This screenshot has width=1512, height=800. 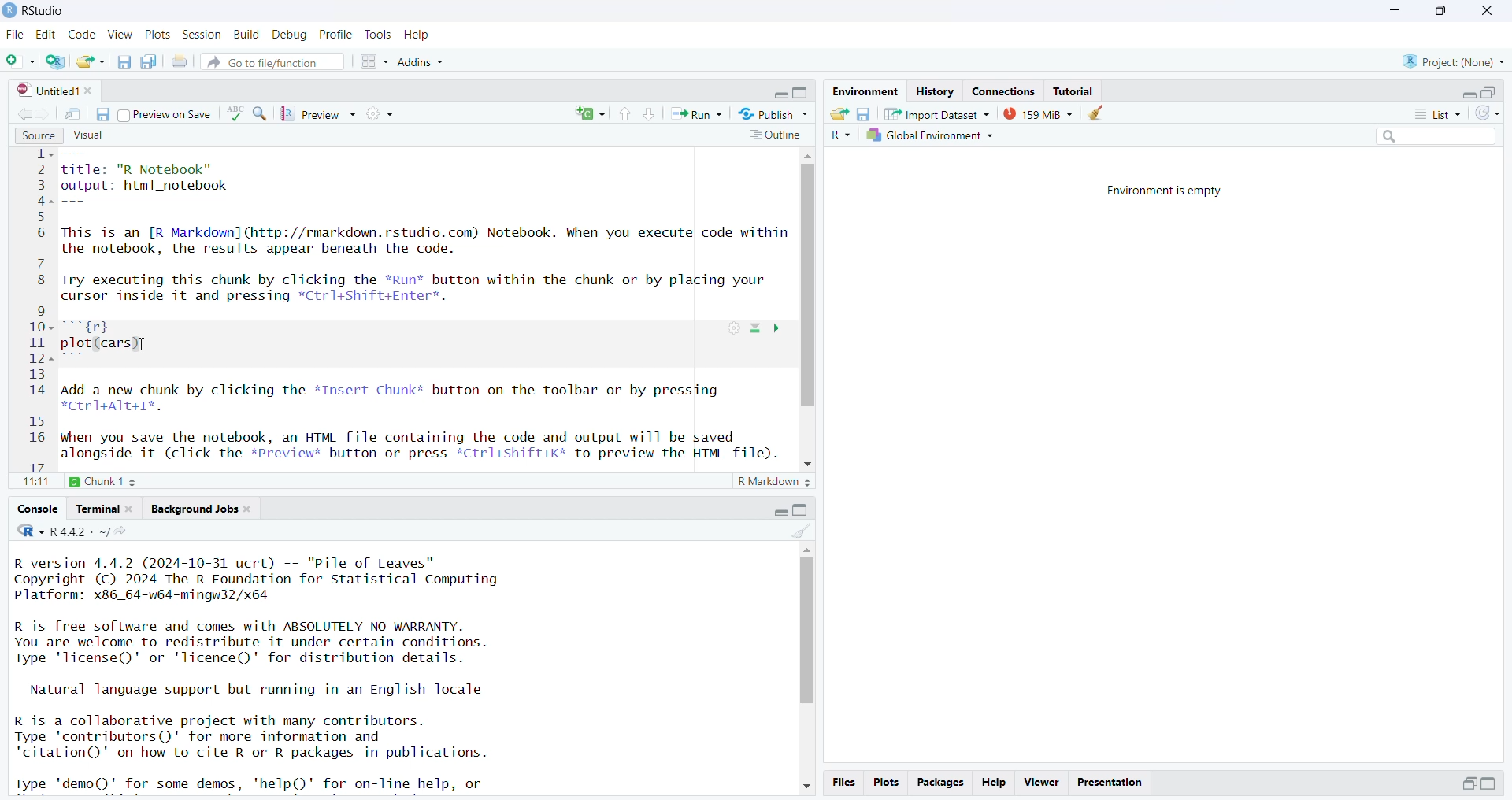 I want to click on view, so click(x=120, y=35).